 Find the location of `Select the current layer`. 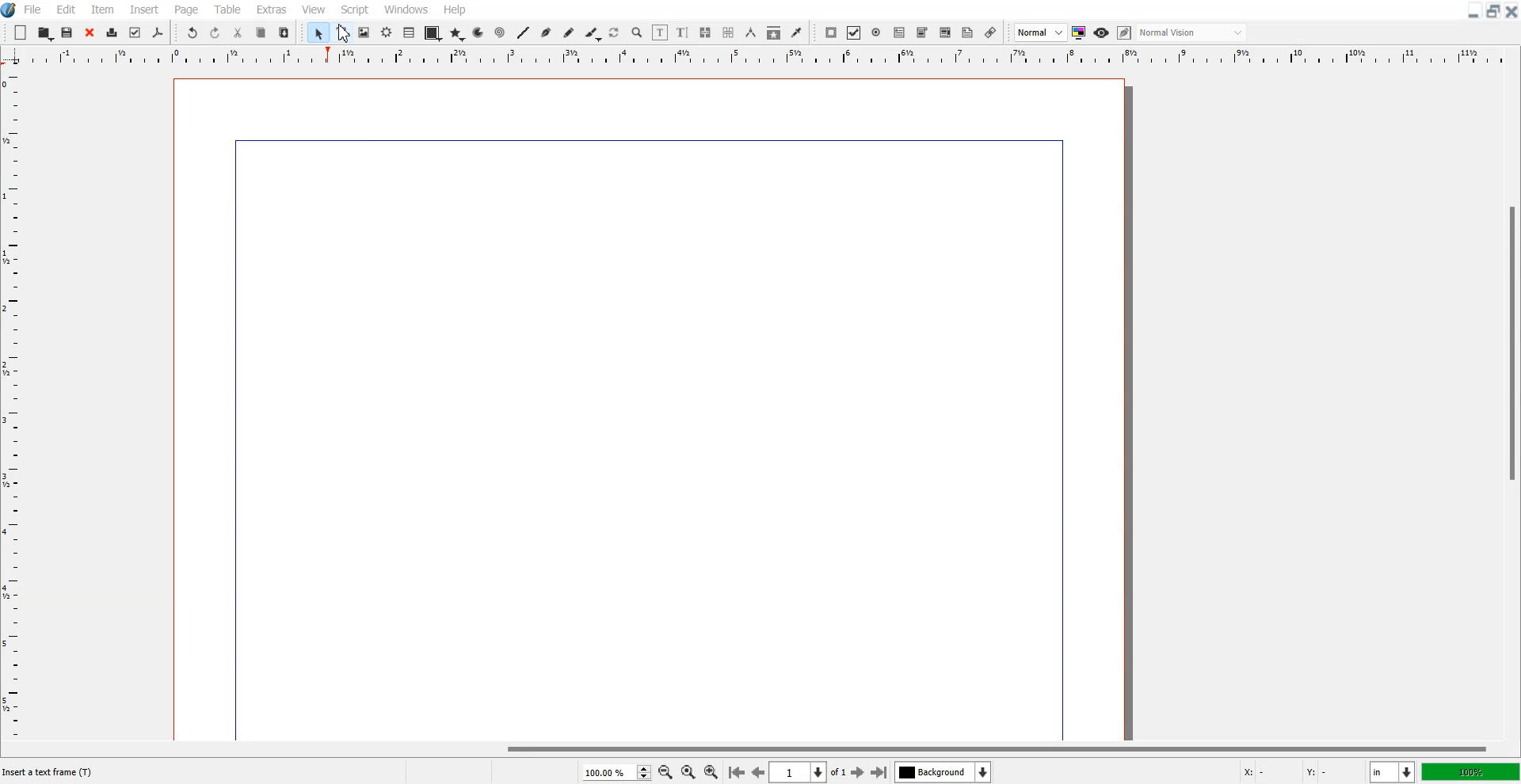

Select the current layer is located at coordinates (945, 772).